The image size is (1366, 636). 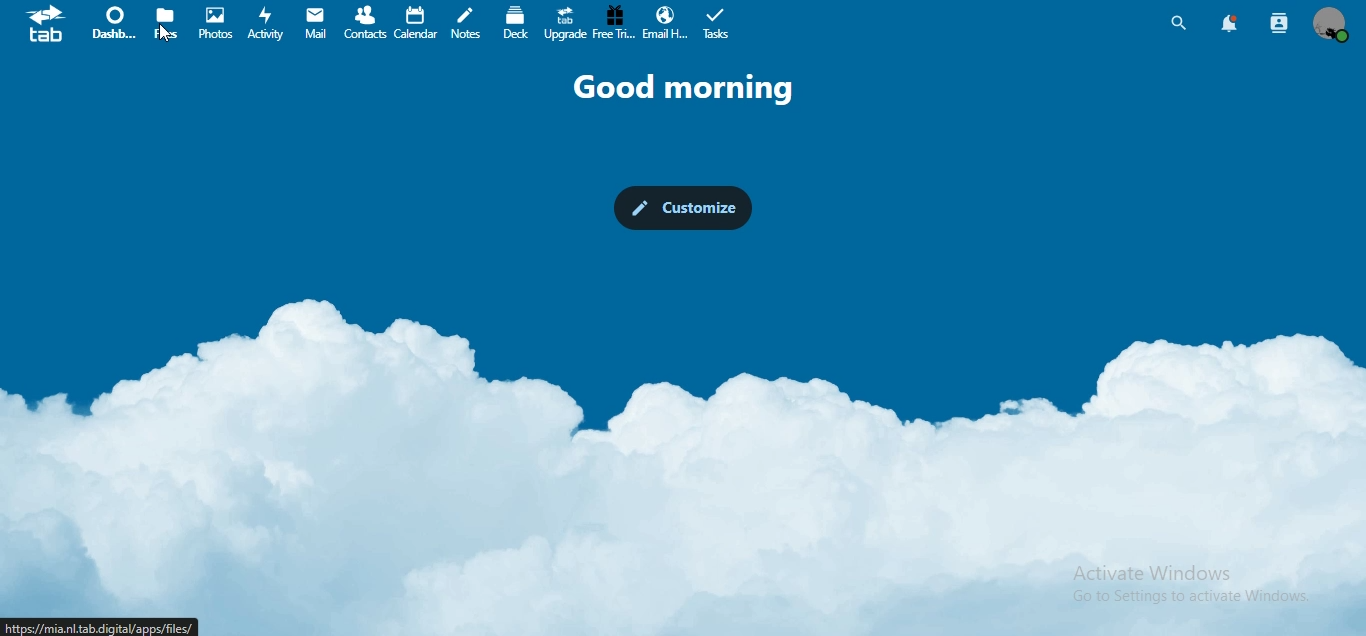 I want to click on mail, so click(x=316, y=24).